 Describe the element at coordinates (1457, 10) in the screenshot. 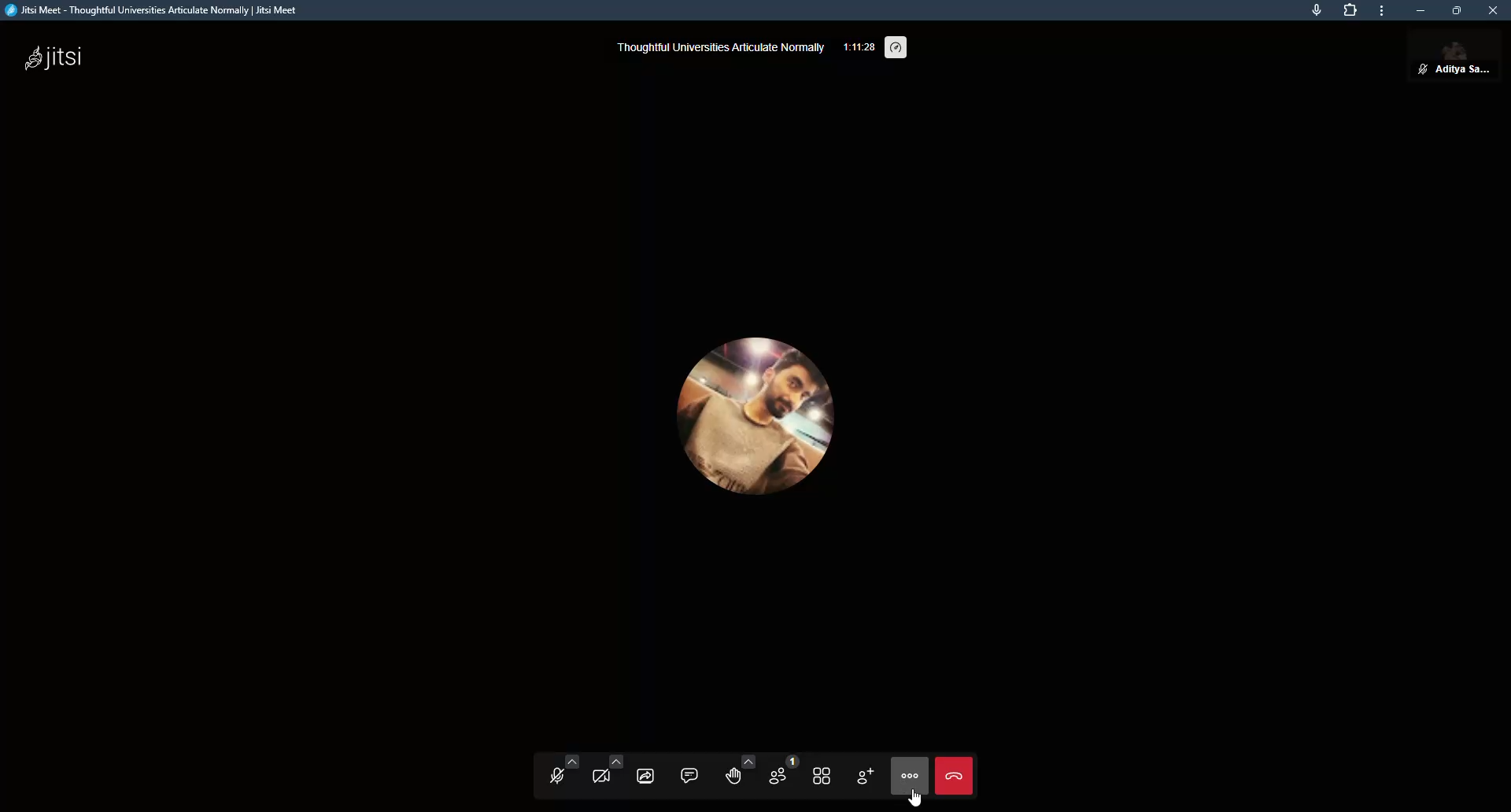

I see `maximize` at that location.